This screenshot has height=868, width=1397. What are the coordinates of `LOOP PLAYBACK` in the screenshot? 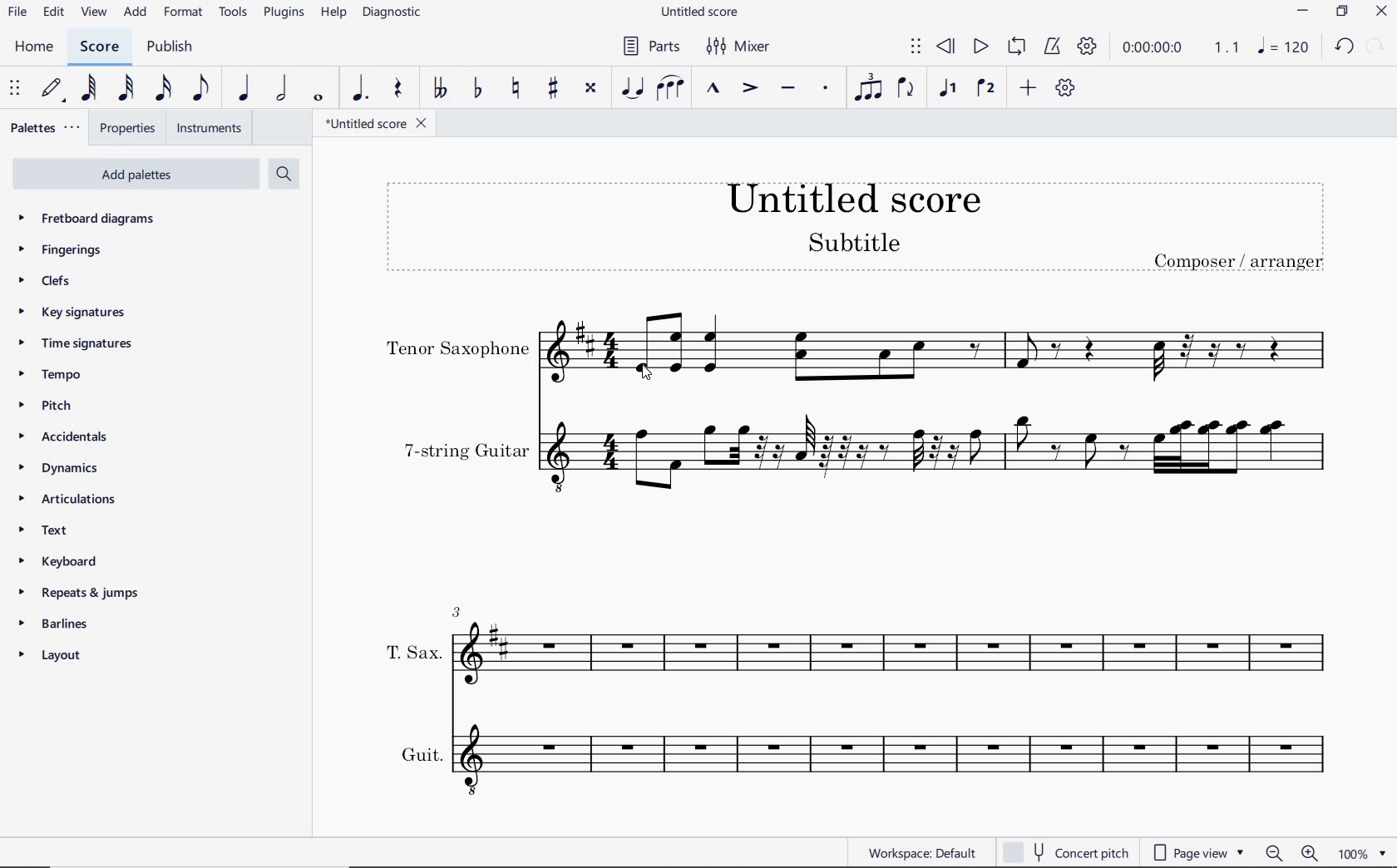 It's located at (1016, 45).